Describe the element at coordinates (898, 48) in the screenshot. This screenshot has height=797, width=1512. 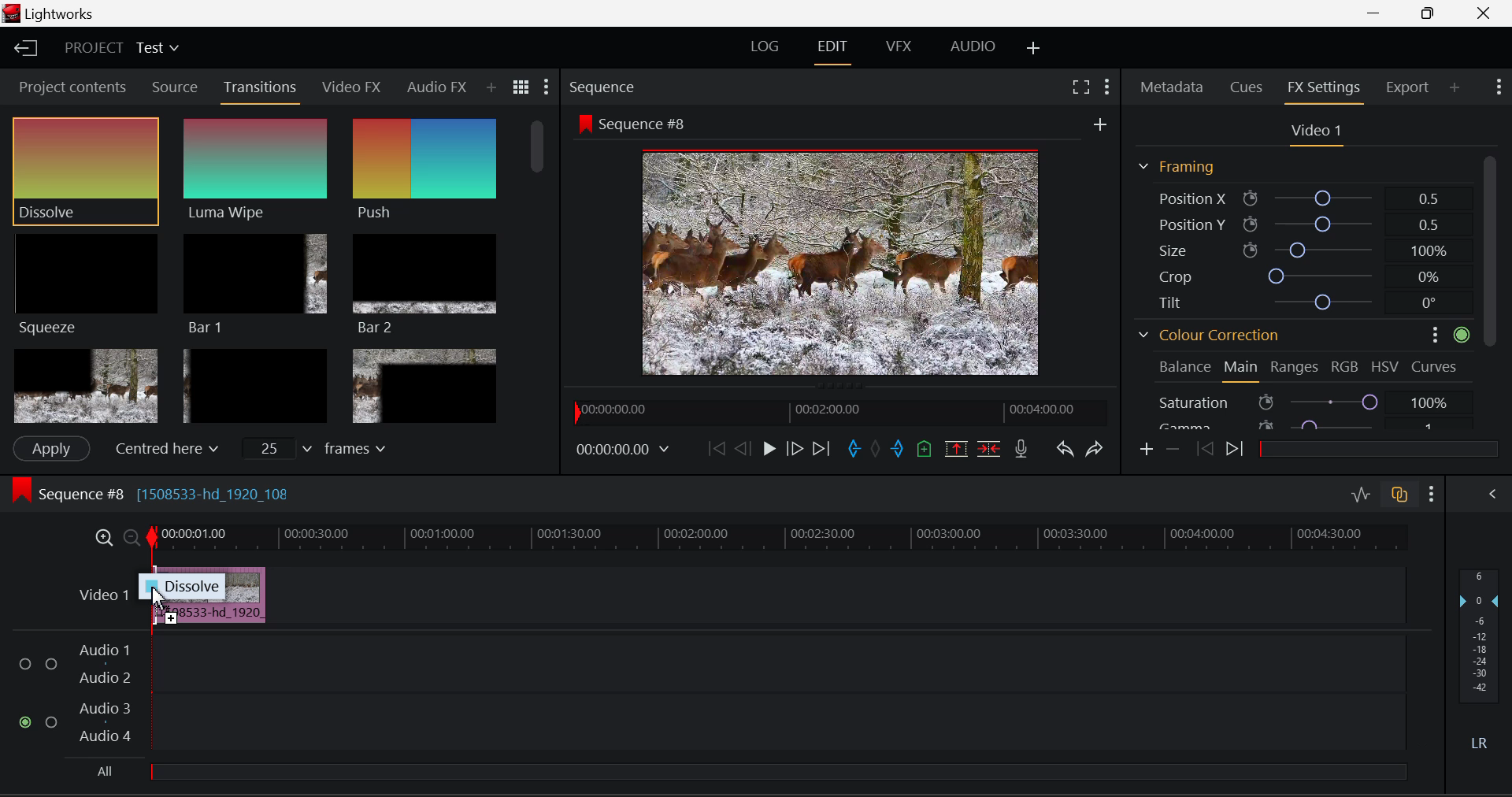
I see `VFX` at that location.